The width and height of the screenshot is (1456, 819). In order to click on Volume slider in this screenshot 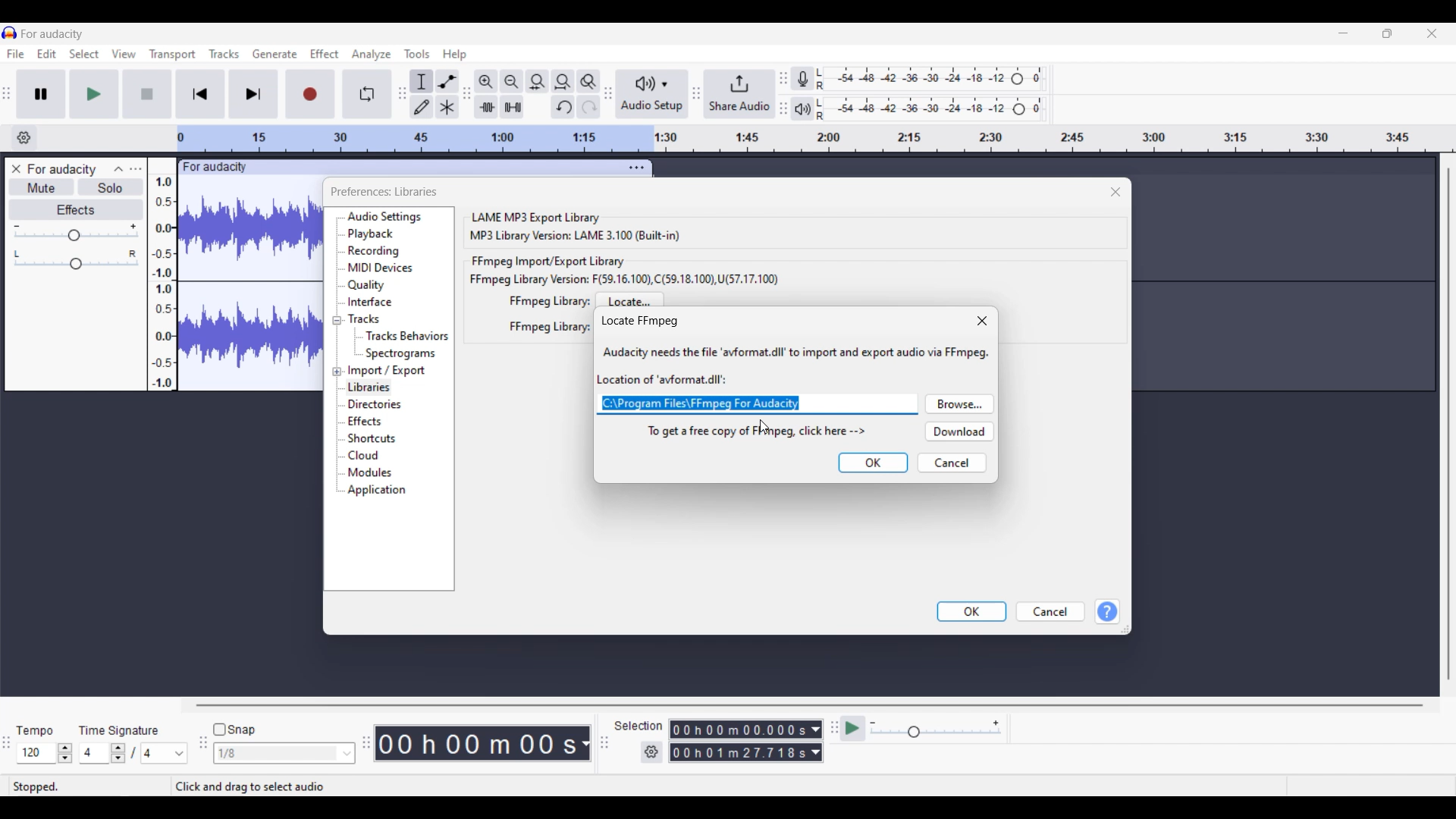, I will do `click(75, 233)`.